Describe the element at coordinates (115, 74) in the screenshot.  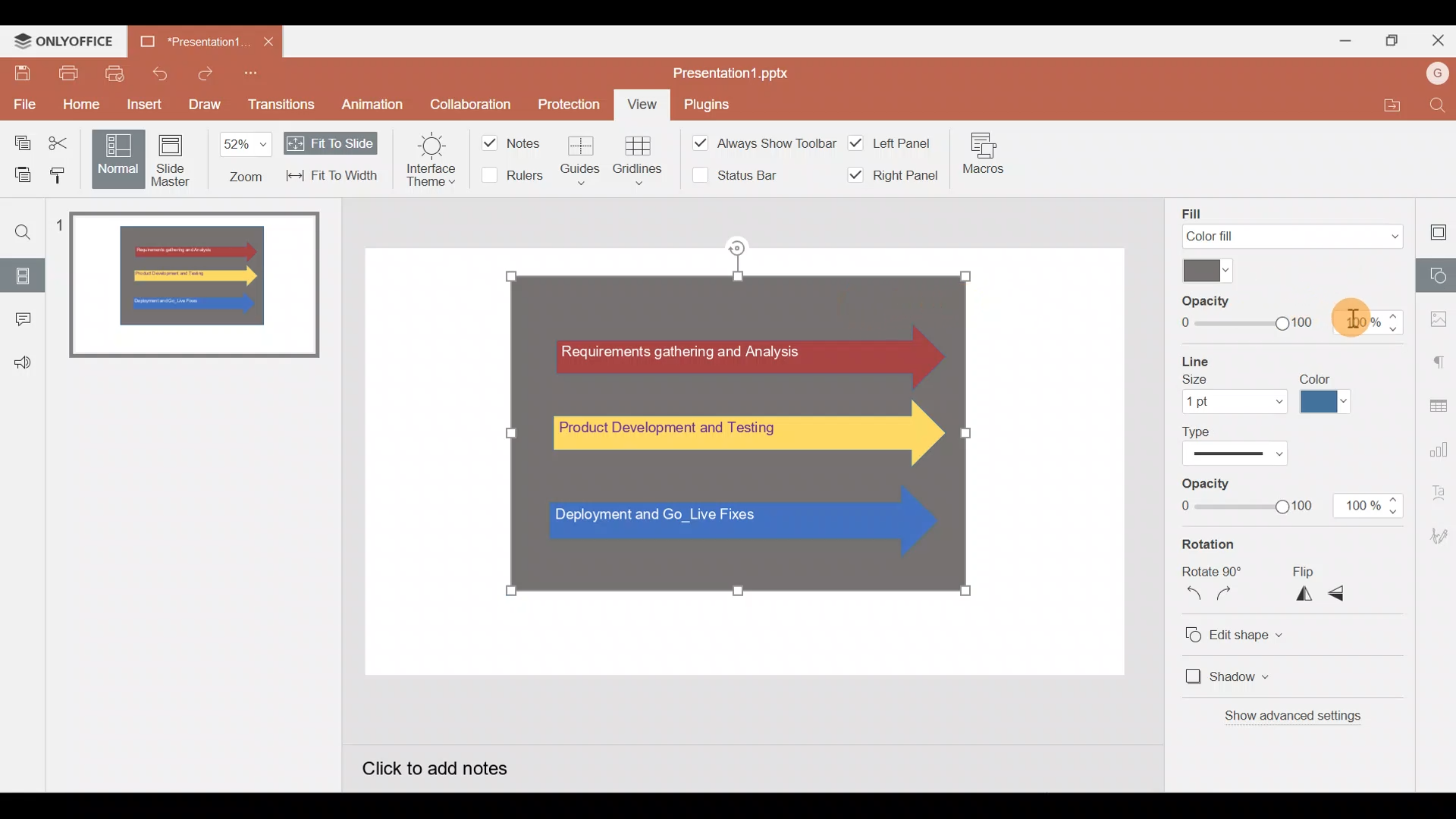
I see `Quick print` at that location.